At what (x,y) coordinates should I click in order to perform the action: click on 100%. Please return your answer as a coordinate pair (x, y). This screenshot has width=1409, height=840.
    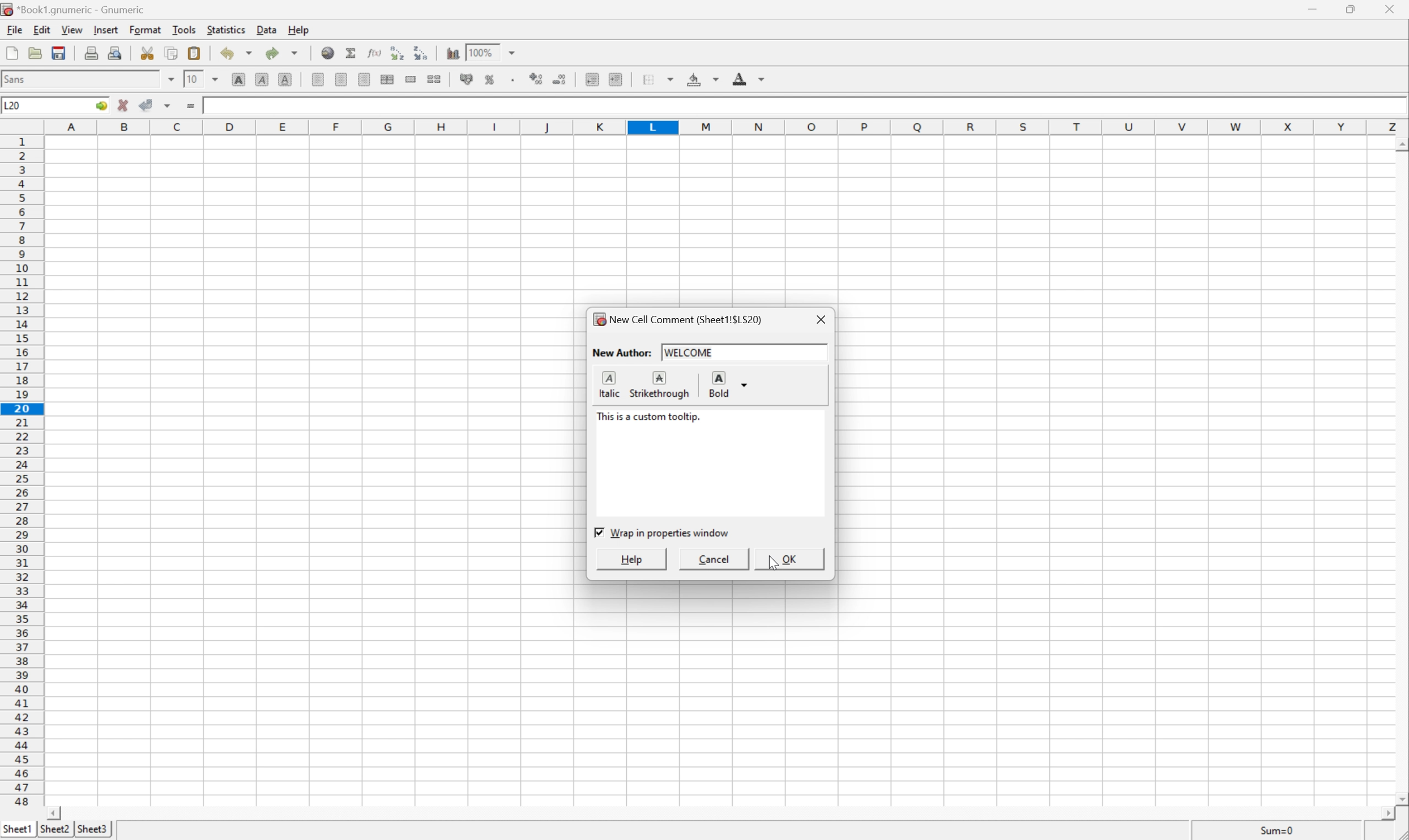
    Looking at the image, I should click on (481, 52).